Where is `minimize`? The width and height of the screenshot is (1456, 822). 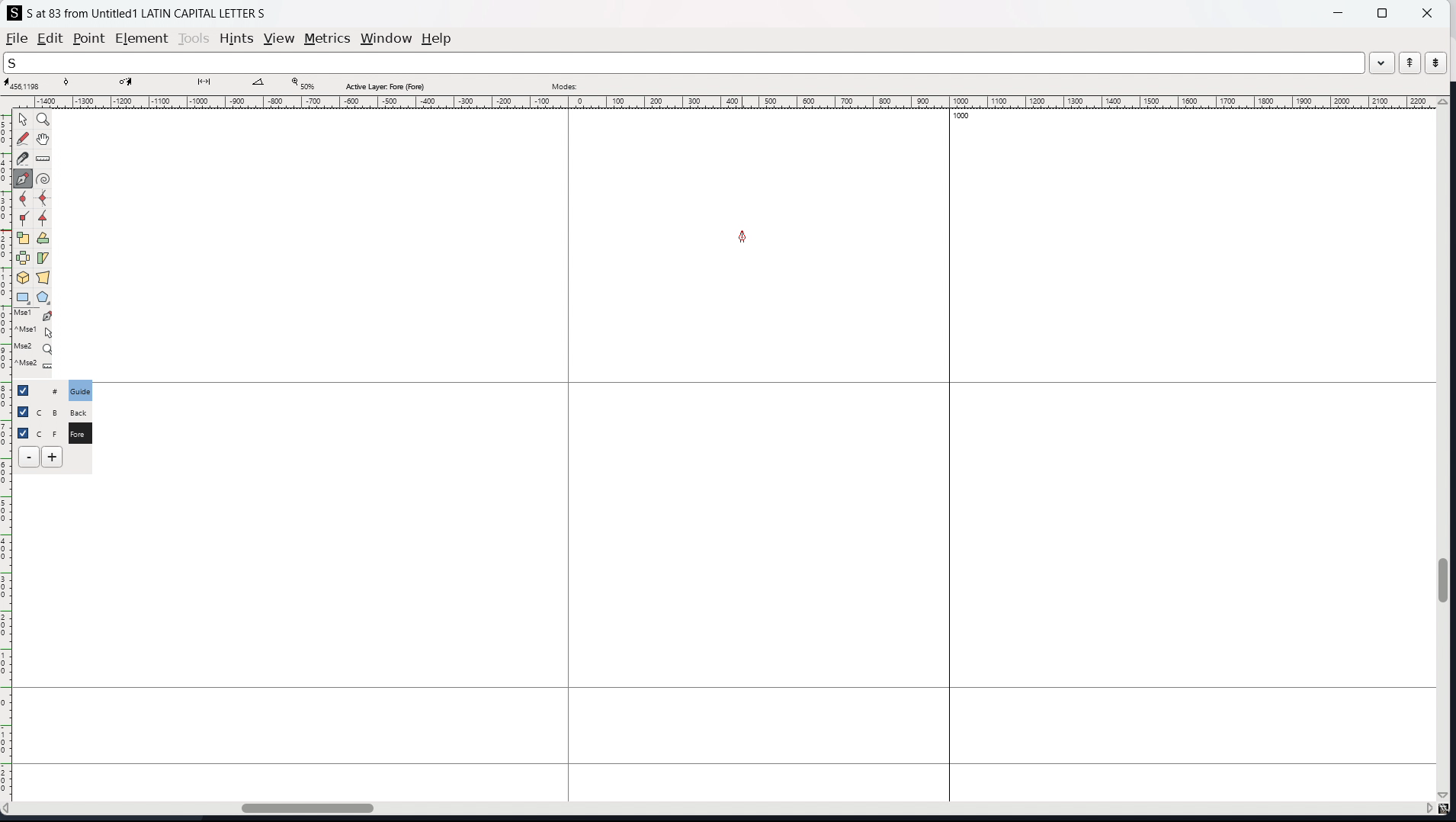 minimize is located at coordinates (1340, 11).